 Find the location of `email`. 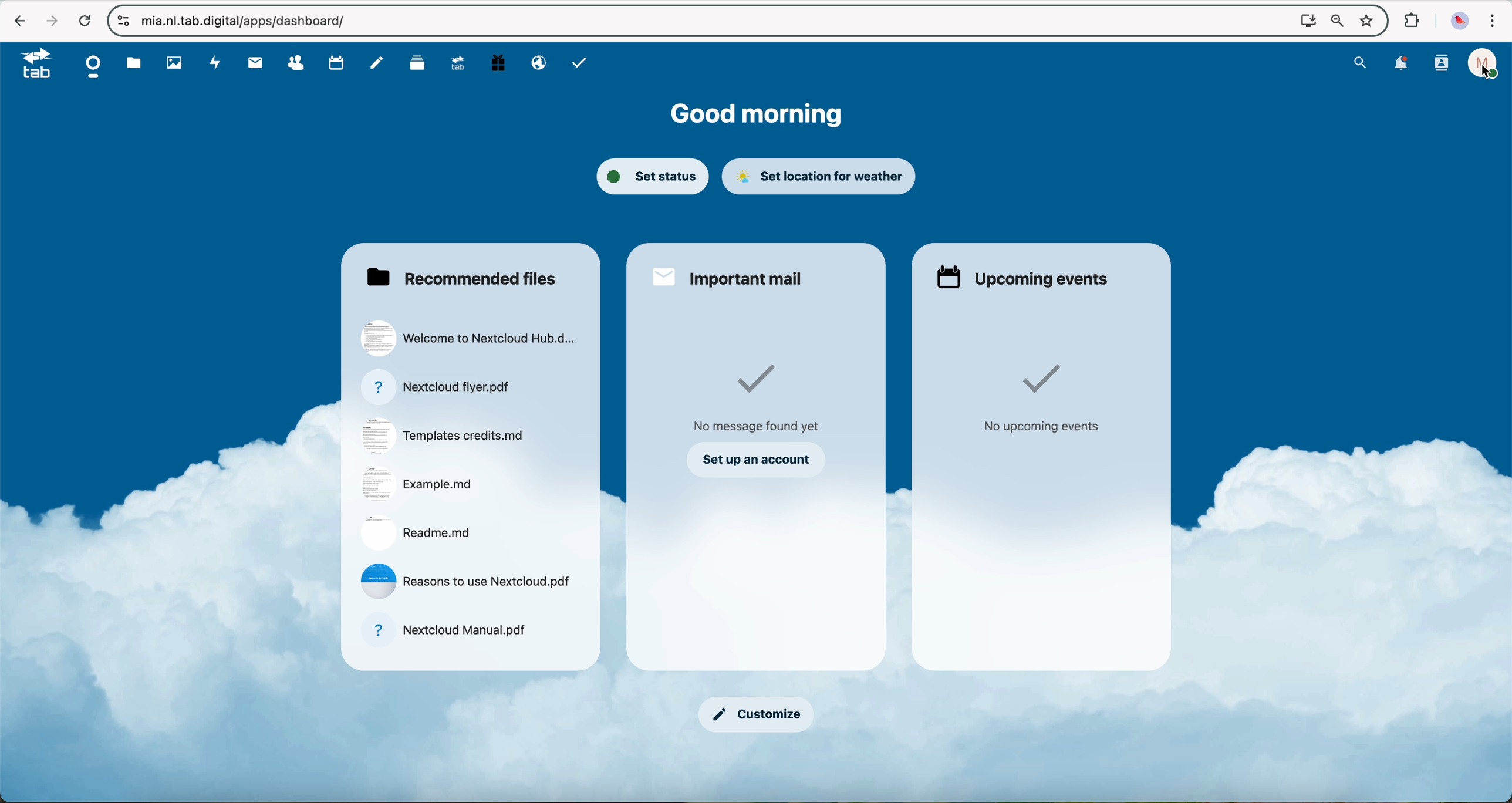

email is located at coordinates (536, 63).